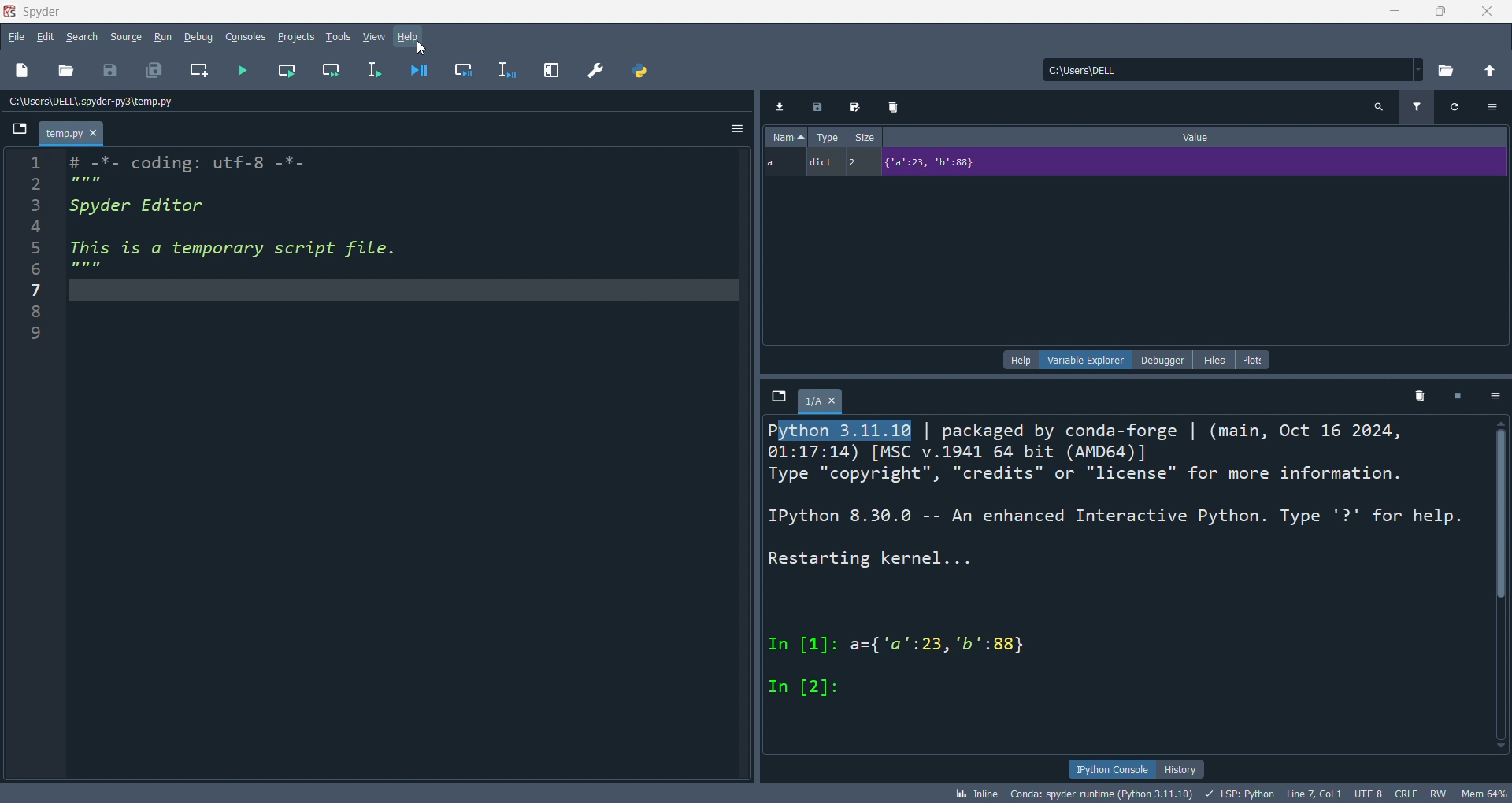 The width and height of the screenshot is (1512, 803). What do you see at coordinates (243, 71) in the screenshot?
I see `run file` at bounding box center [243, 71].